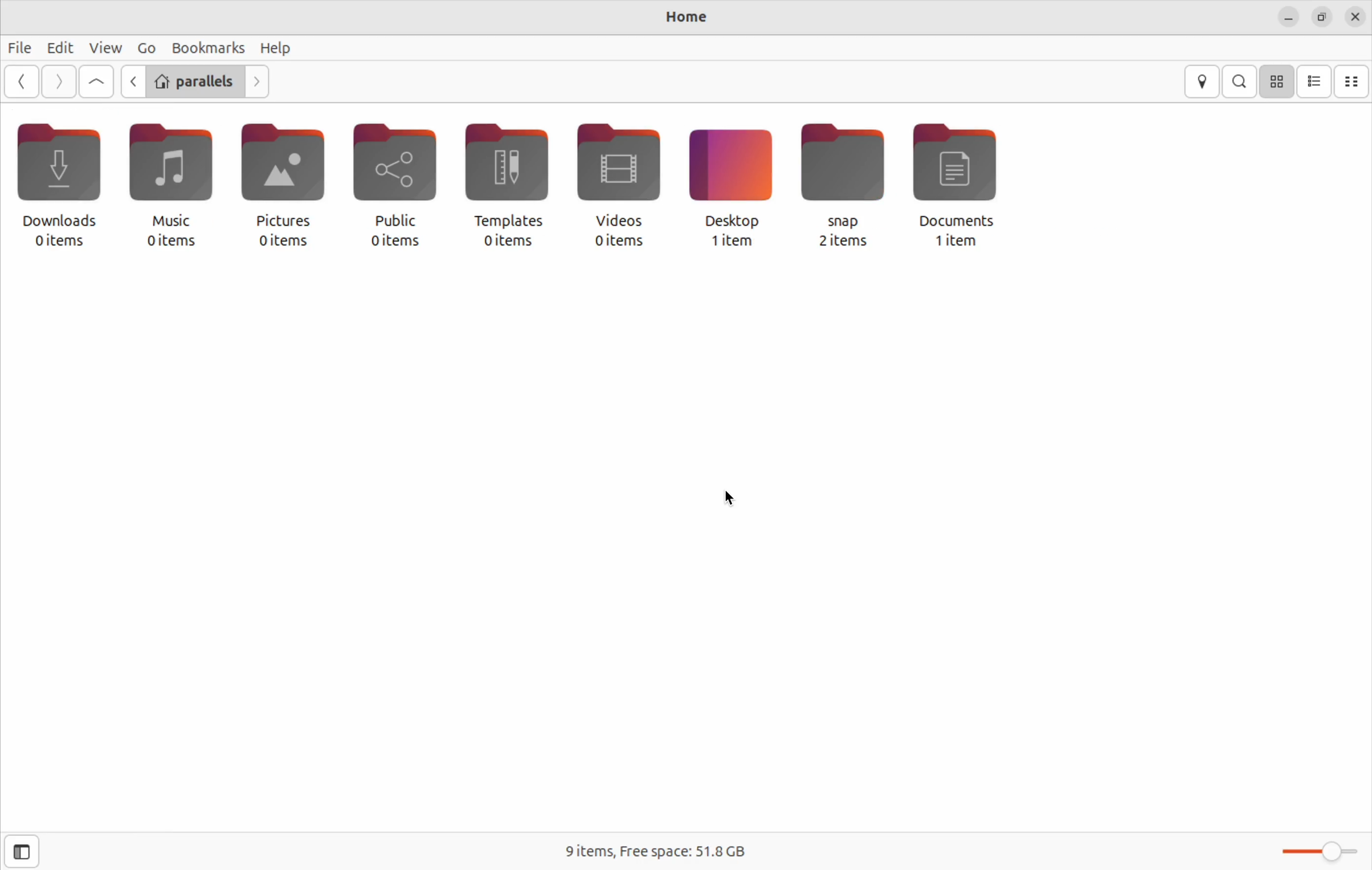 The height and width of the screenshot is (870, 1372). What do you see at coordinates (209, 47) in the screenshot?
I see `bookmarks` at bounding box center [209, 47].